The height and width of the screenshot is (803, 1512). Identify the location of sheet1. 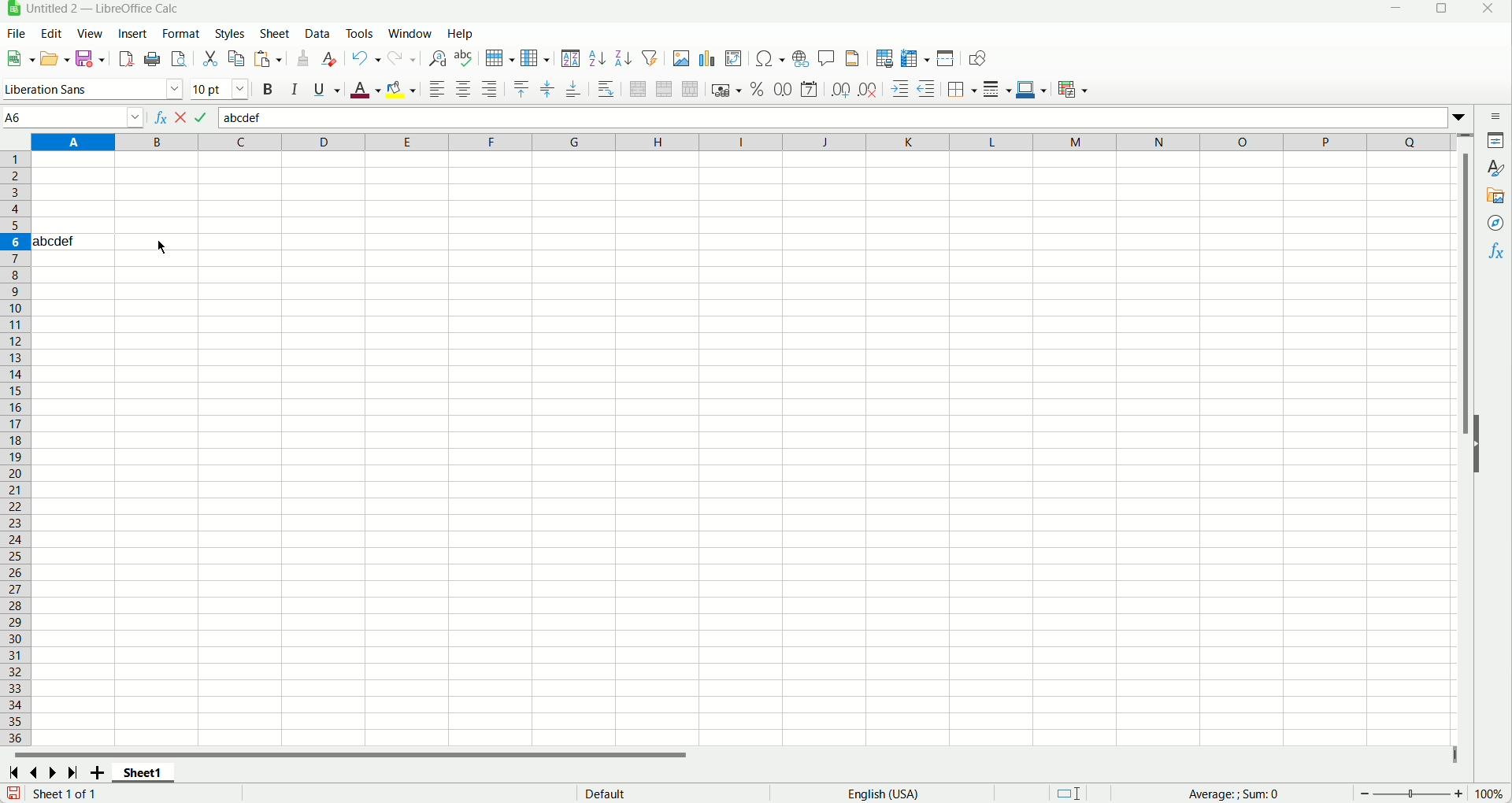
(146, 772).